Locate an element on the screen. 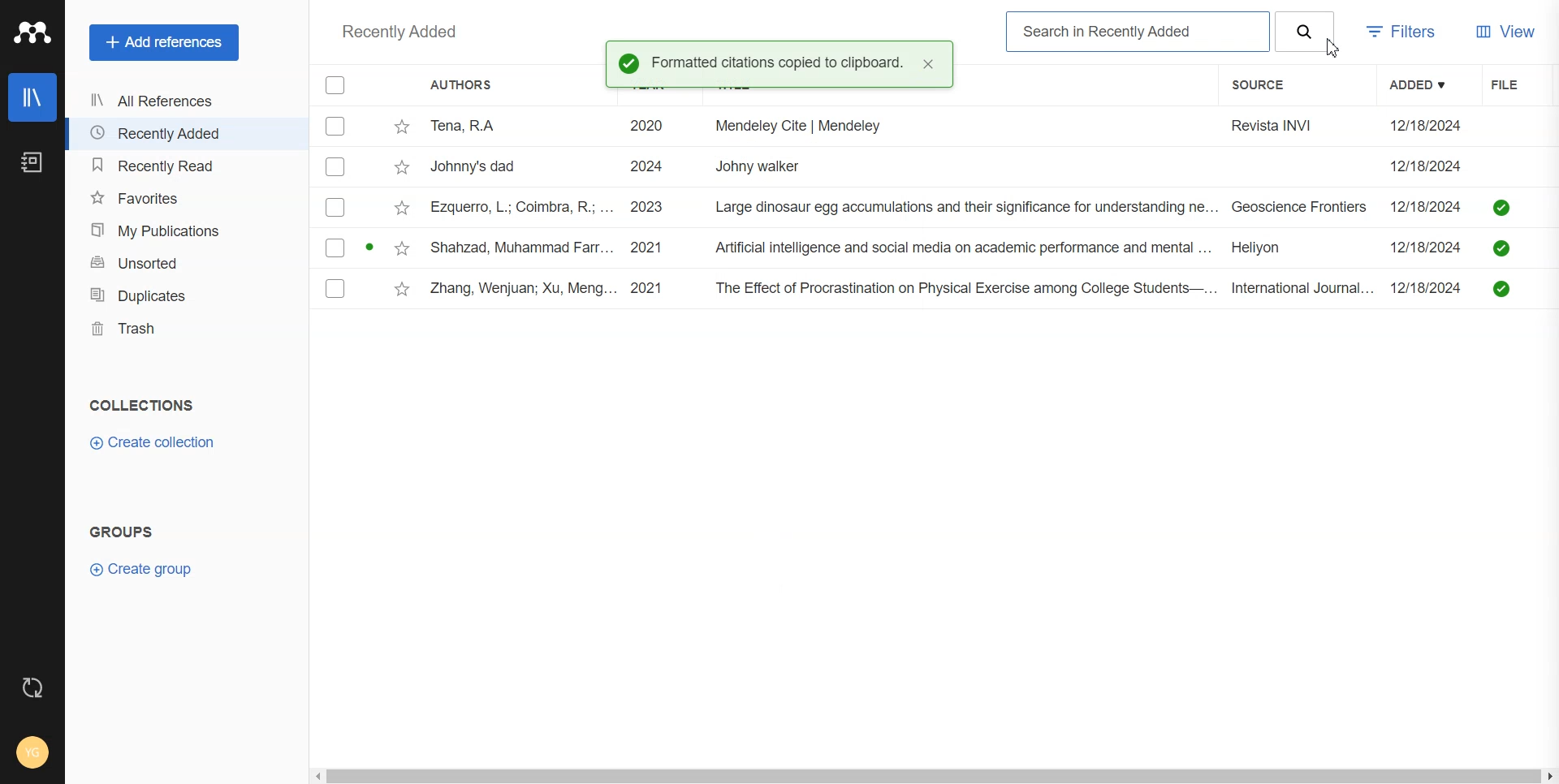 This screenshot has width=1559, height=784. Star is located at coordinates (403, 166).